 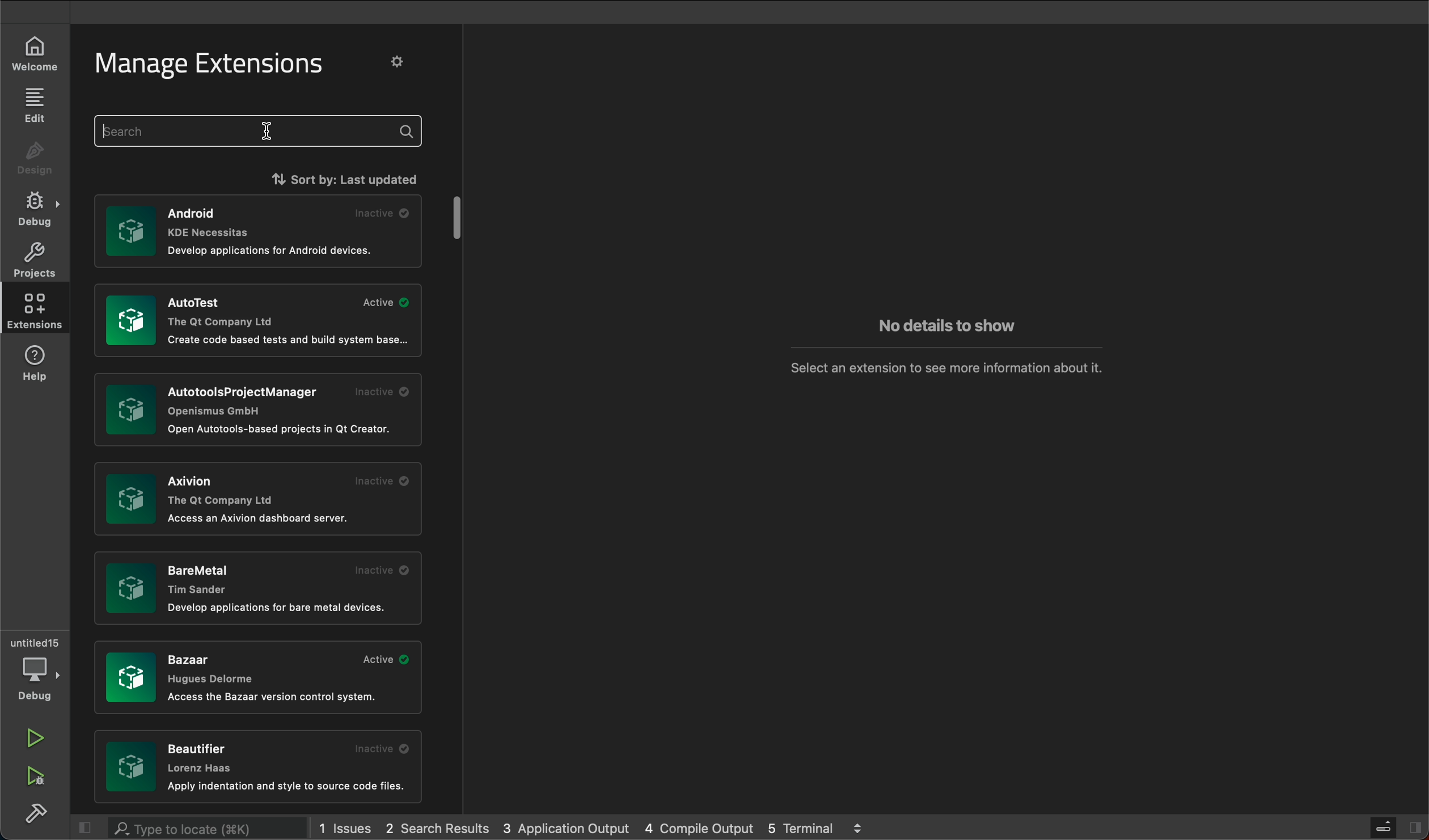 I want to click on inactive, so click(x=383, y=392).